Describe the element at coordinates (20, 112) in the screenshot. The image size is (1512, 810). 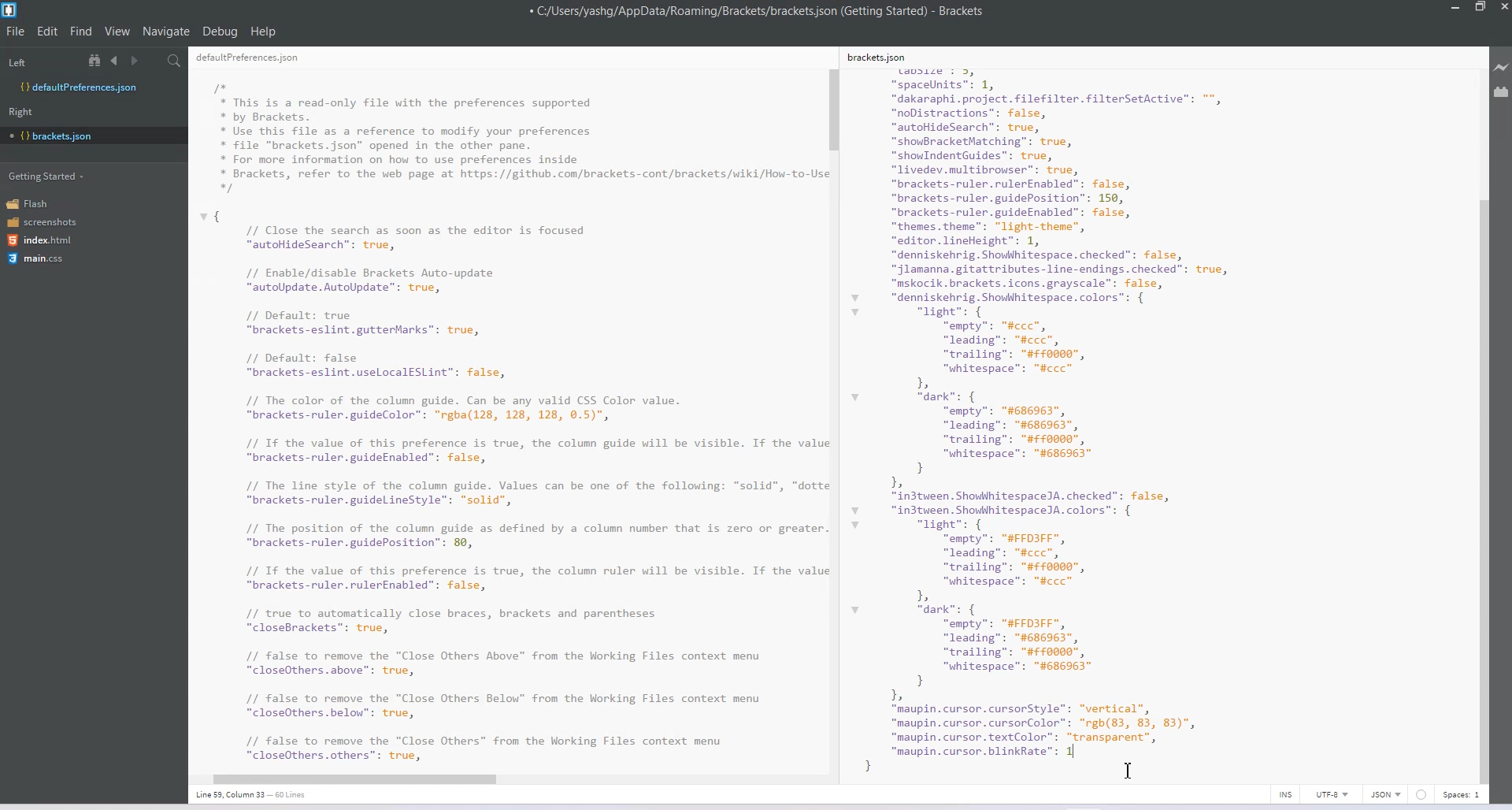
I see `Right` at that location.